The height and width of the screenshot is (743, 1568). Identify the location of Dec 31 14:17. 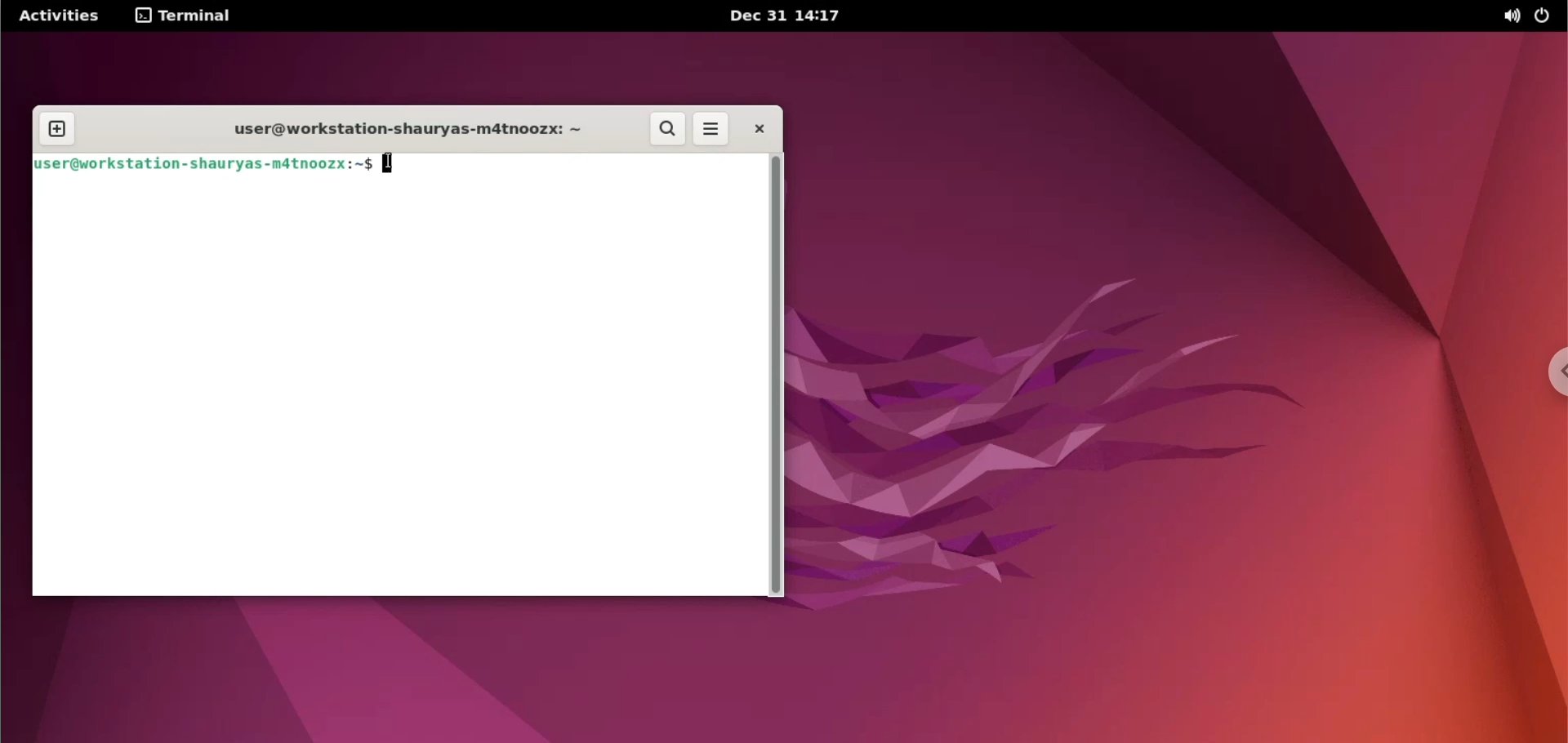
(784, 16).